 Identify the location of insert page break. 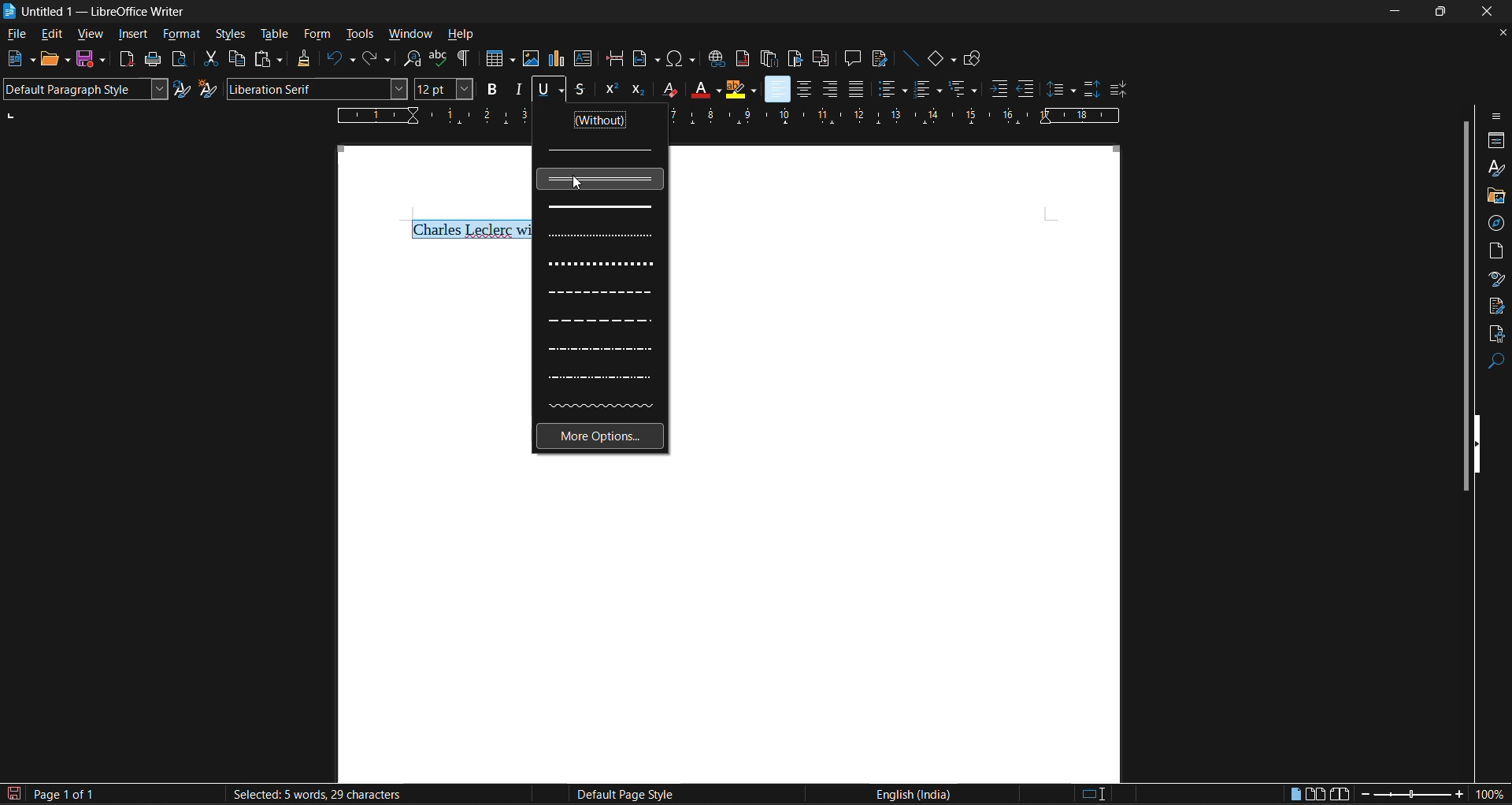
(614, 58).